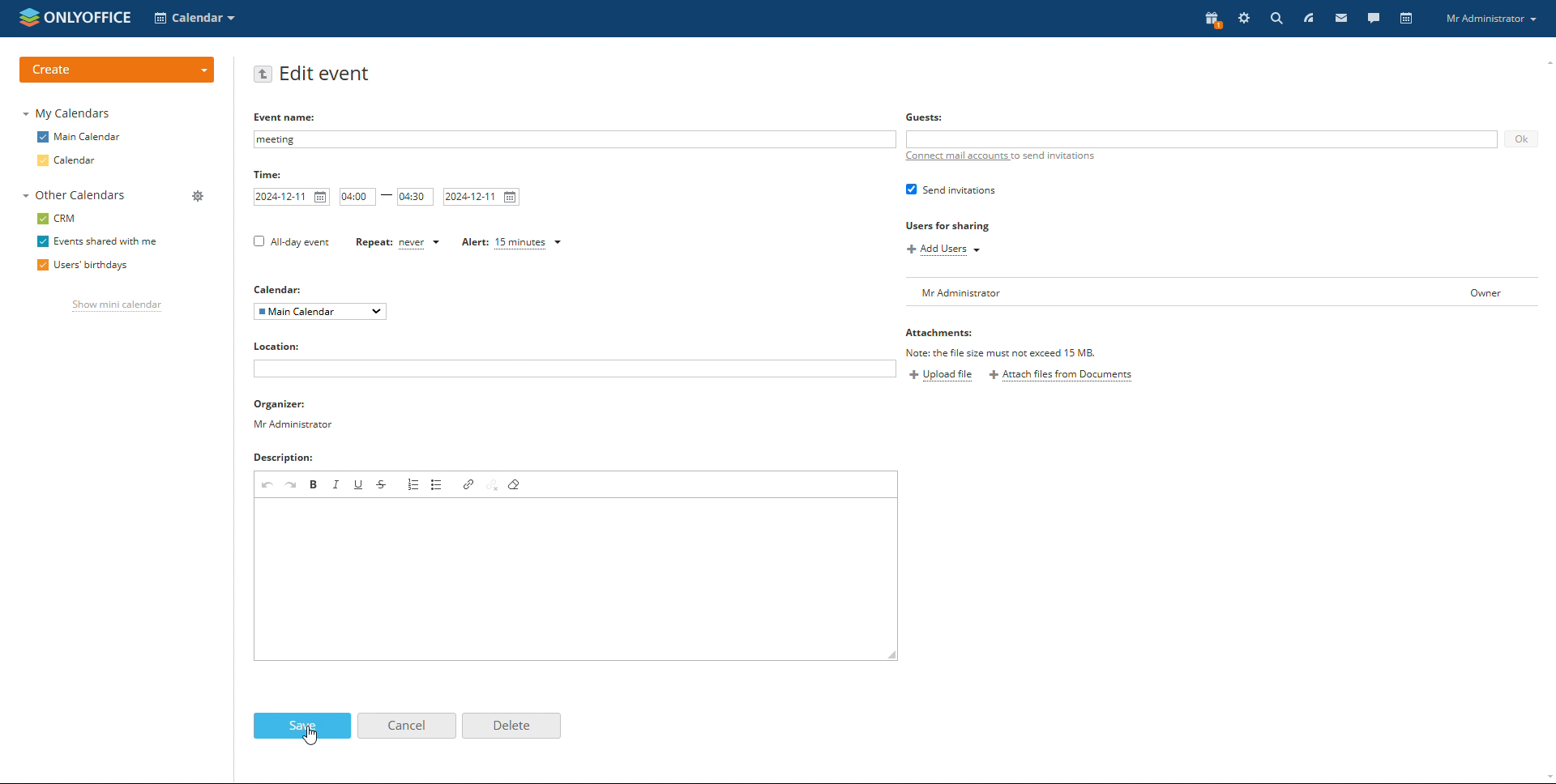 The image size is (1556, 784). Describe the element at coordinates (1372, 19) in the screenshot. I see `talk` at that location.